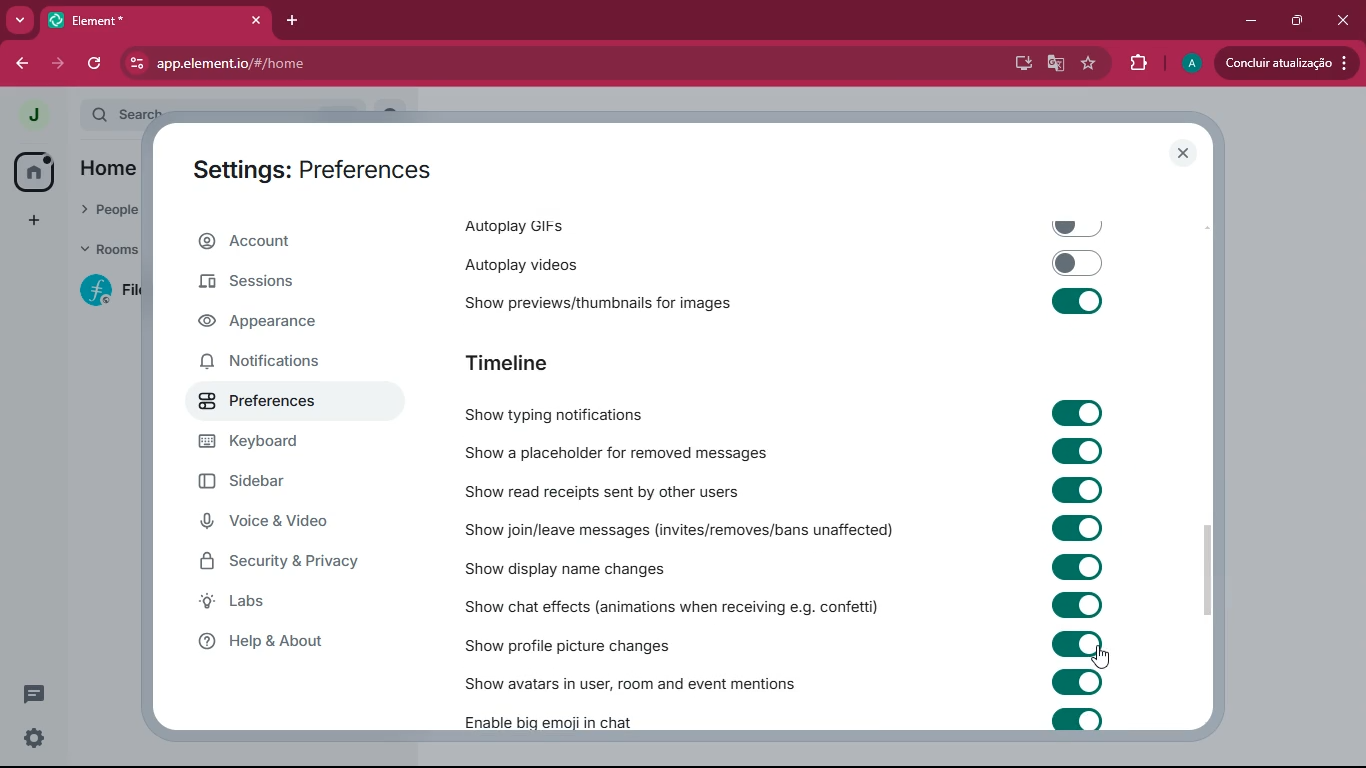 The height and width of the screenshot is (768, 1366). Describe the element at coordinates (1019, 63) in the screenshot. I see `desktop` at that location.